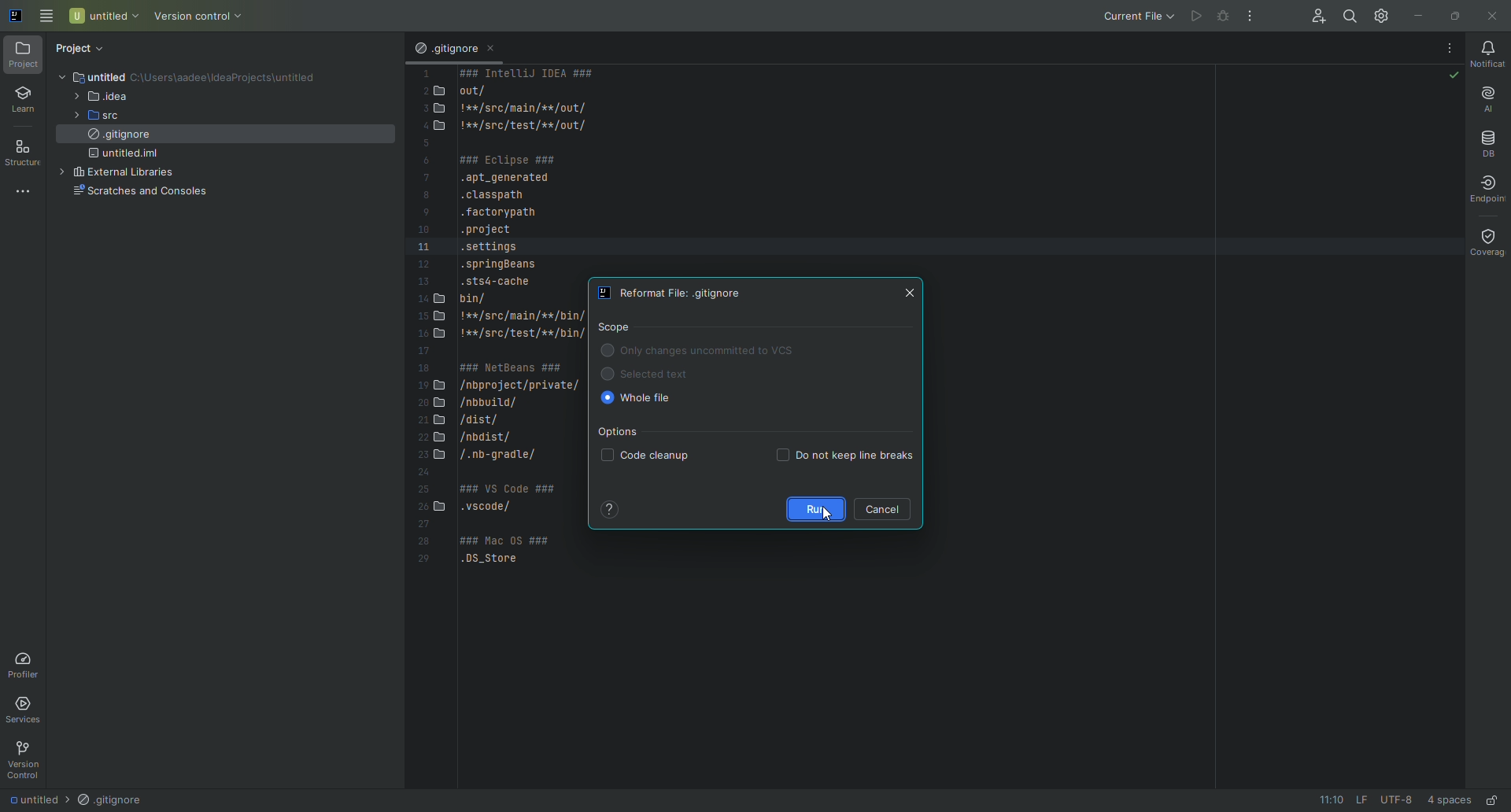  Describe the element at coordinates (1396, 800) in the screenshot. I see `UTF-8(file encoding)` at that location.